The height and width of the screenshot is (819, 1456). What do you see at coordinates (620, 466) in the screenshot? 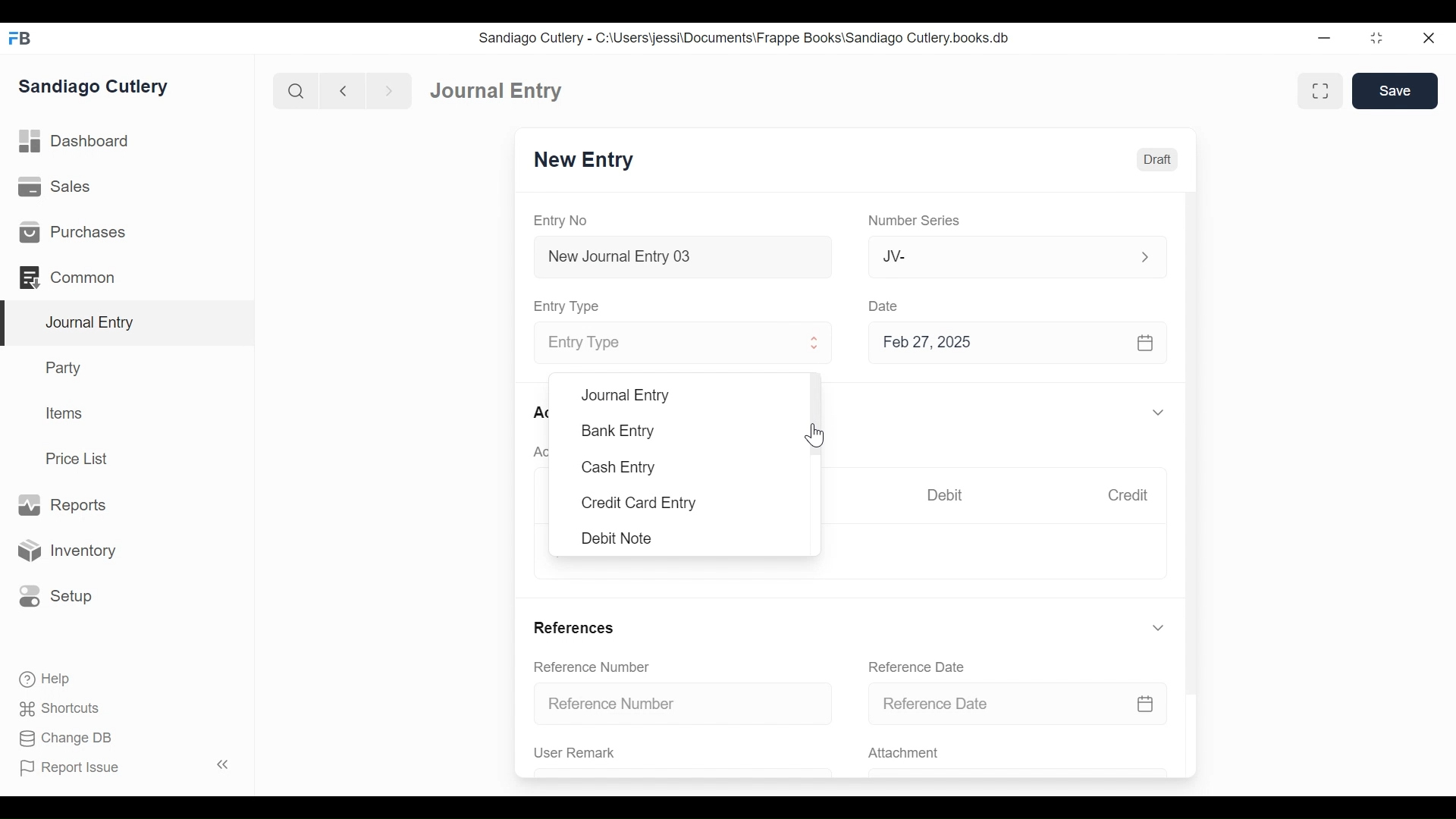
I see `Cash Entry` at bounding box center [620, 466].